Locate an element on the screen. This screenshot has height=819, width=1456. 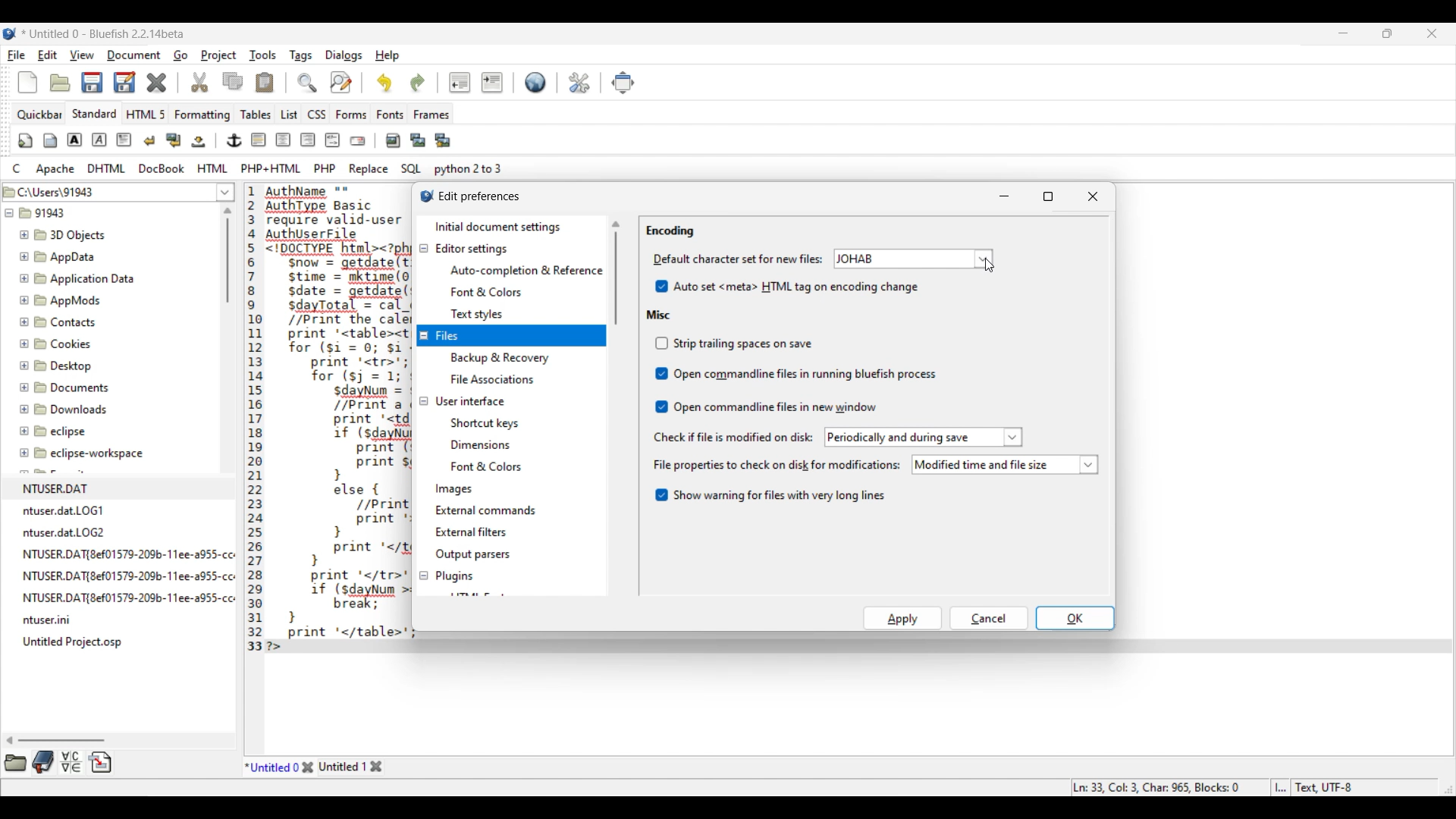
Images is located at coordinates (455, 489).